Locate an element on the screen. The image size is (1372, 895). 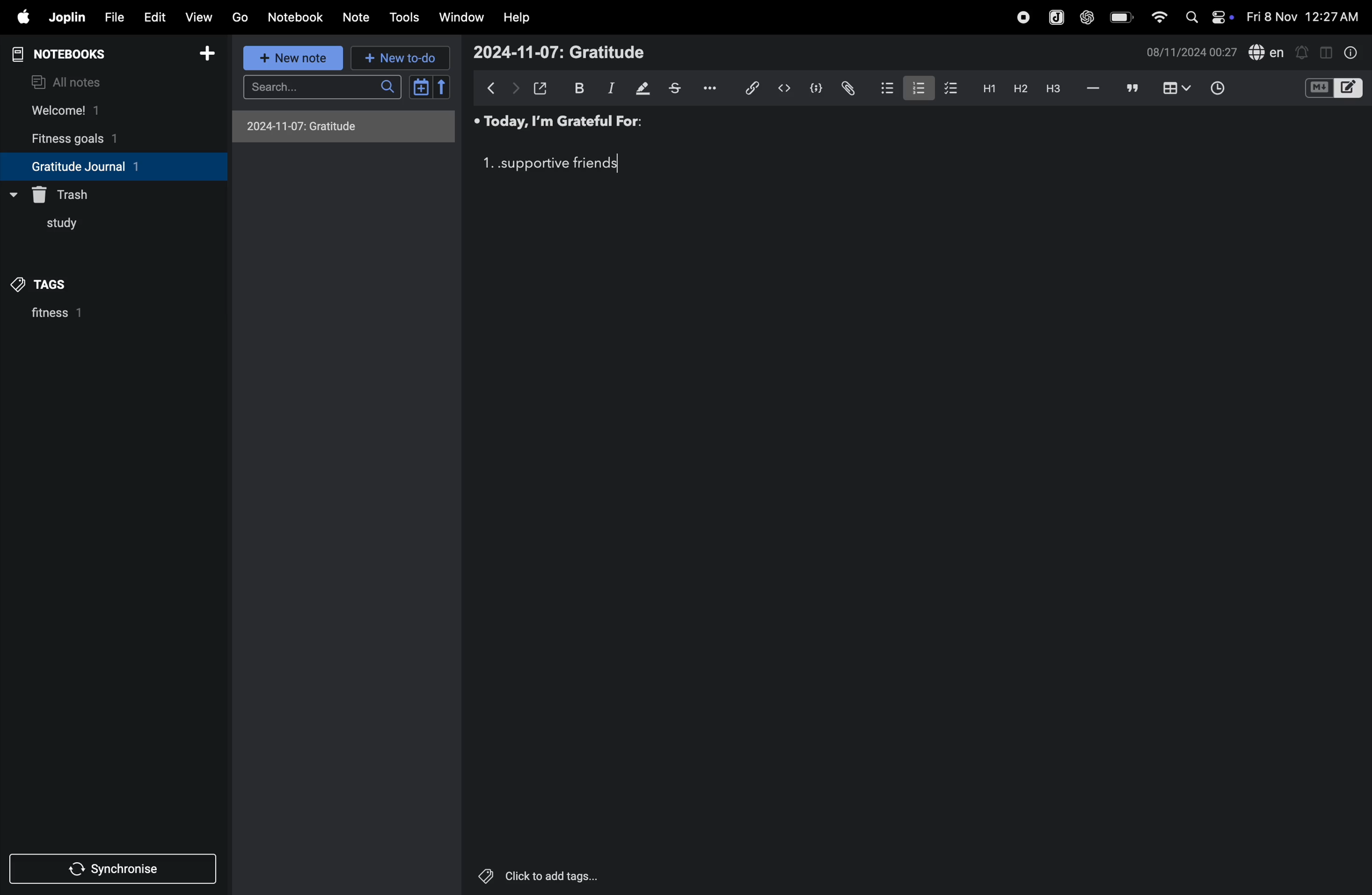
apple menu is located at coordinates (18, 17).